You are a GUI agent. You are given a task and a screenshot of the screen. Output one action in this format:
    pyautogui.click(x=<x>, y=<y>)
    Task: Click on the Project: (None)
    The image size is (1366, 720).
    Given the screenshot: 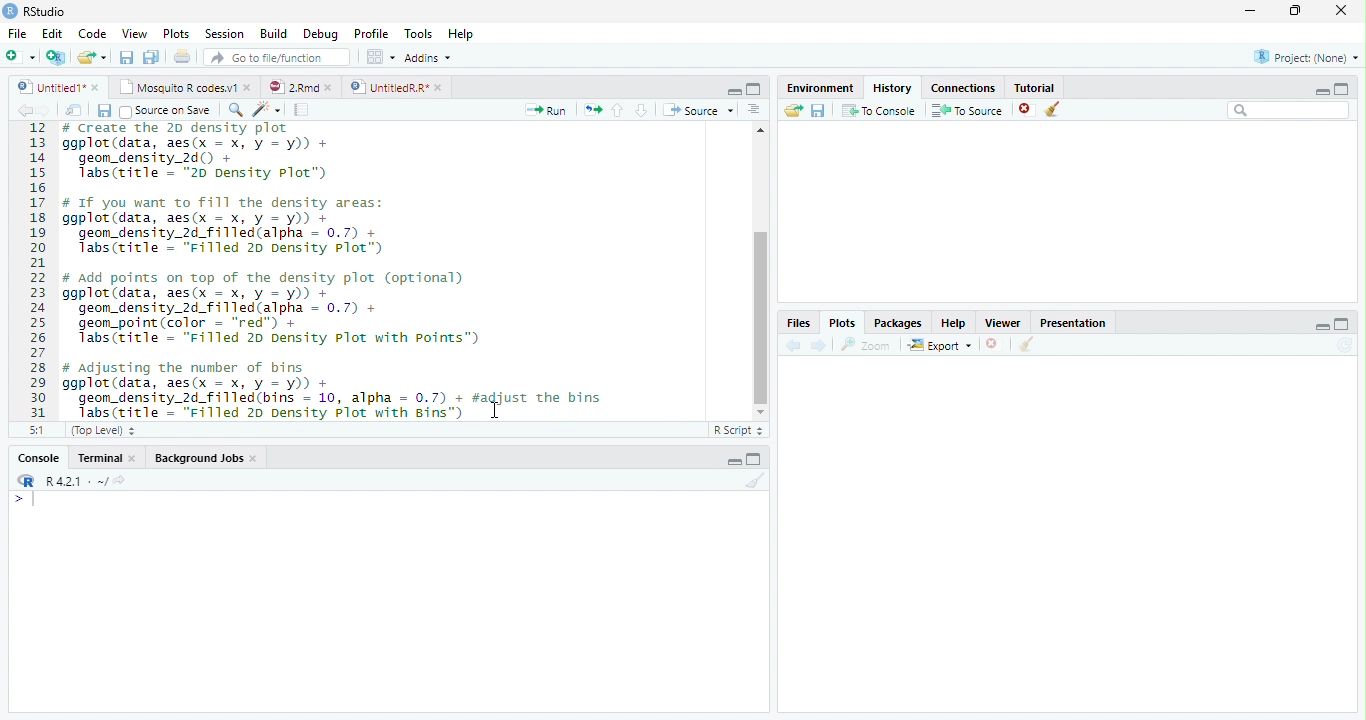 What is the action you would take?
    pyautogui.click(x=1305, y=57)
    